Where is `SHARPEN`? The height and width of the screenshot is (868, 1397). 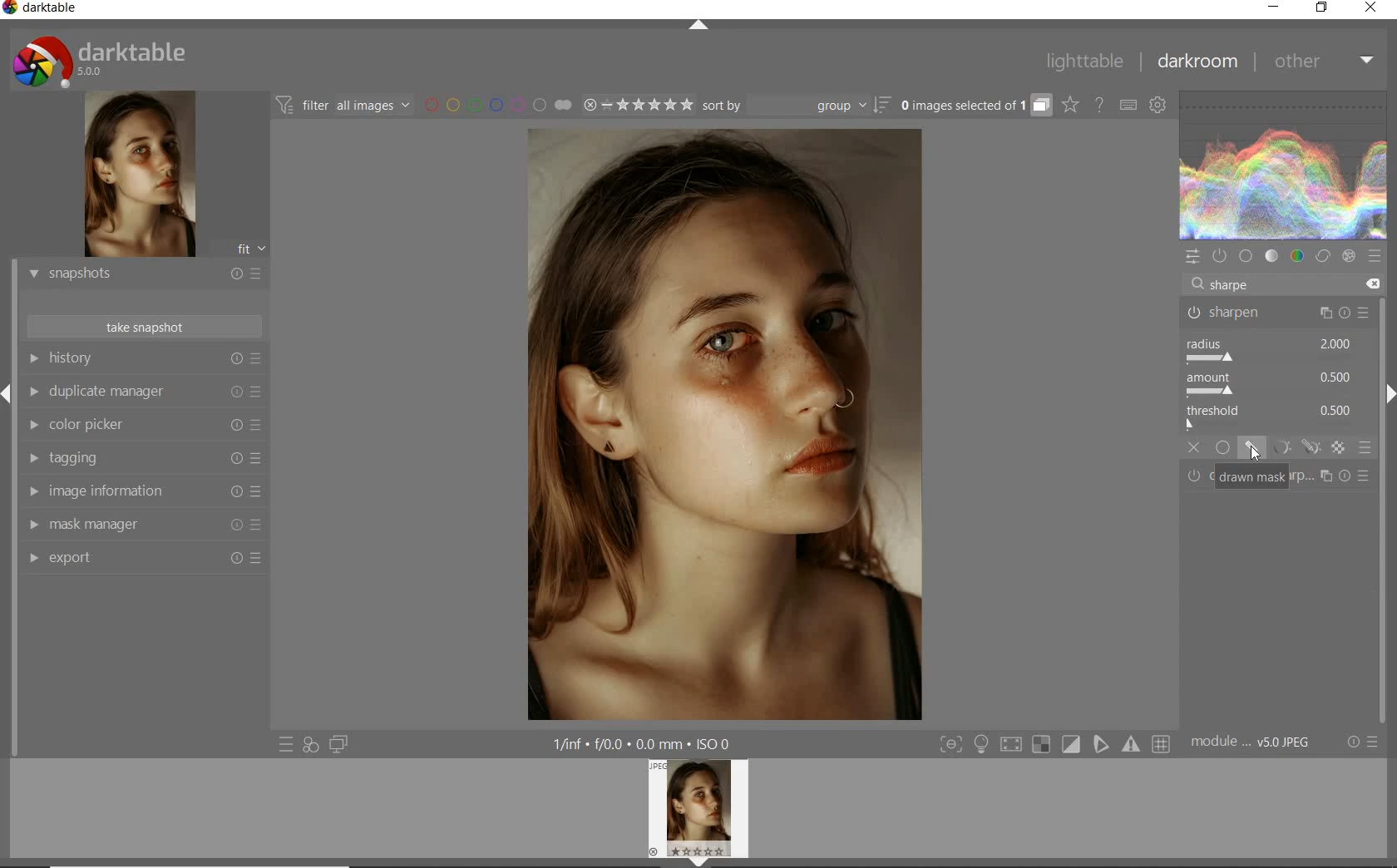
SHARPEN is located at coordinates (1279, 314).